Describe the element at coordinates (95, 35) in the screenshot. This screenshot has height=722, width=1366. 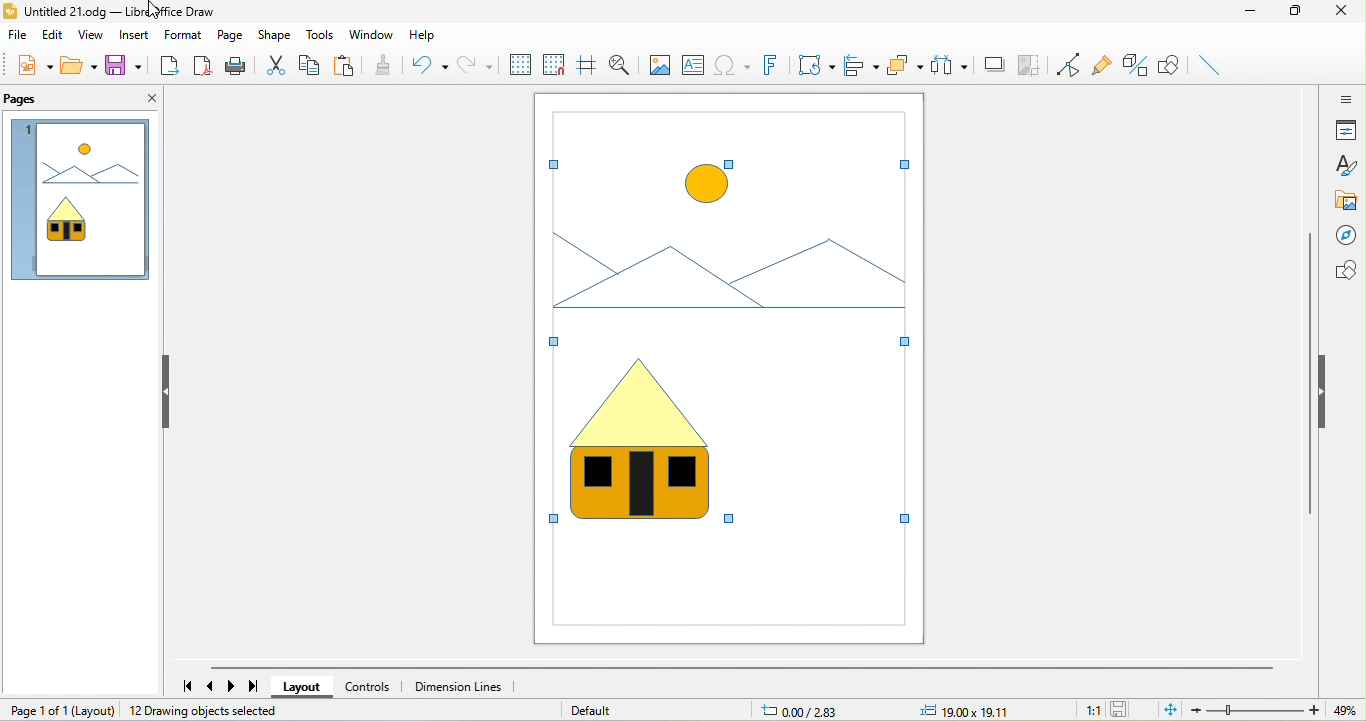
I see `view` at that location.